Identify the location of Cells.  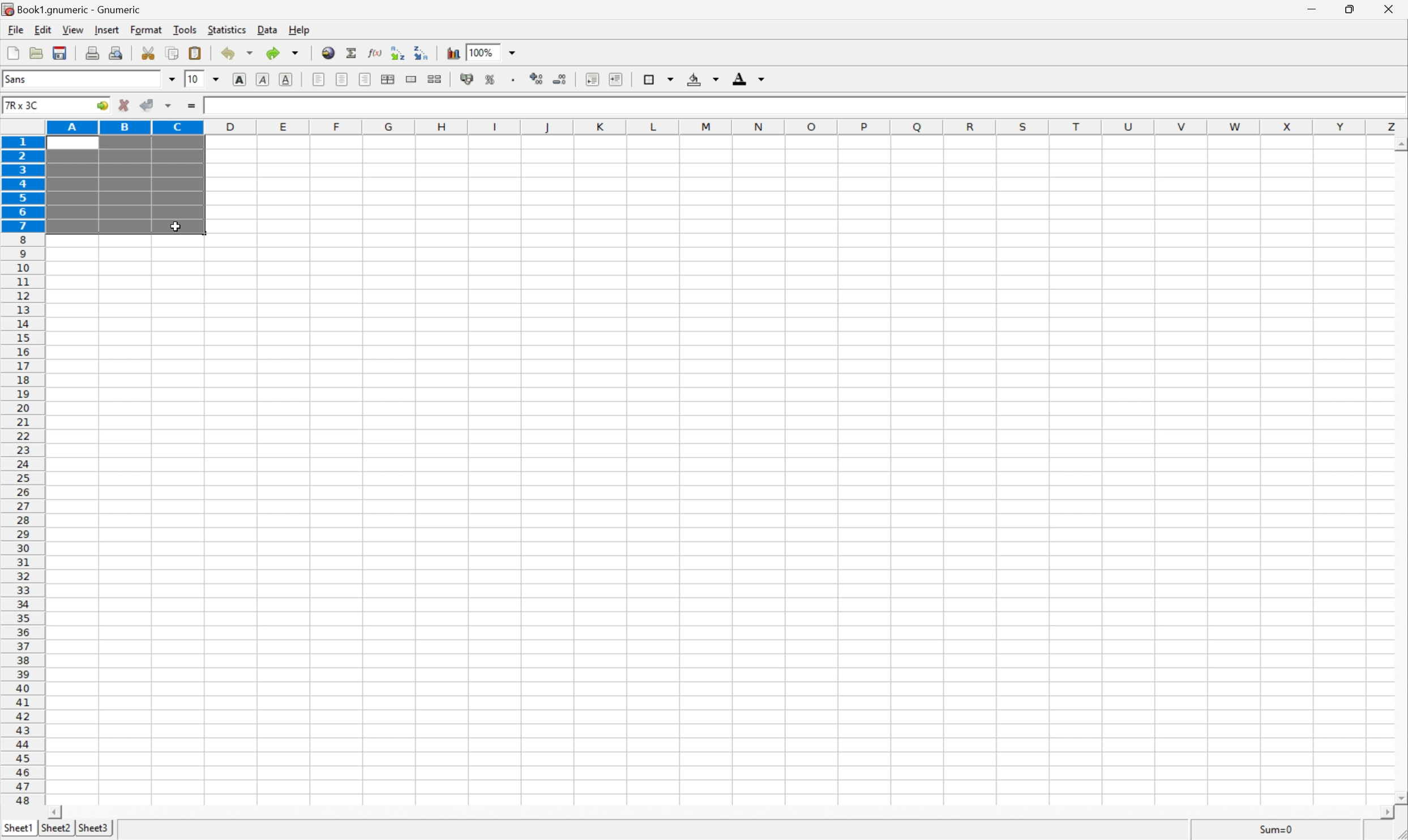
(793, 478).